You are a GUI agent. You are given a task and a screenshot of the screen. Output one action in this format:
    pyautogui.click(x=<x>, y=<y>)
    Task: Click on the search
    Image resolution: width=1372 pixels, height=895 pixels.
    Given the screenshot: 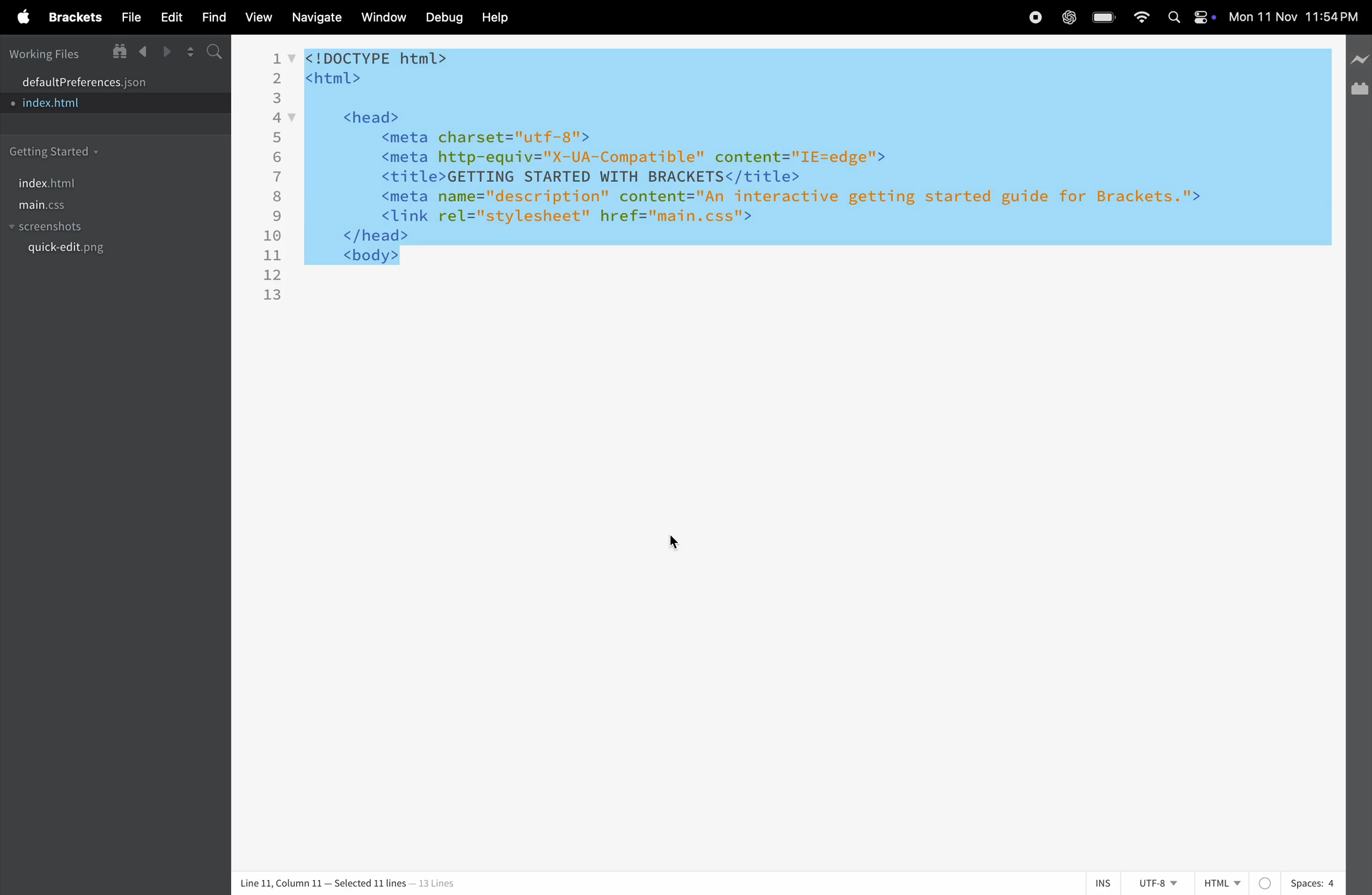 What is the action you would take?
    pyautogui.click(x=212, y=53)
    